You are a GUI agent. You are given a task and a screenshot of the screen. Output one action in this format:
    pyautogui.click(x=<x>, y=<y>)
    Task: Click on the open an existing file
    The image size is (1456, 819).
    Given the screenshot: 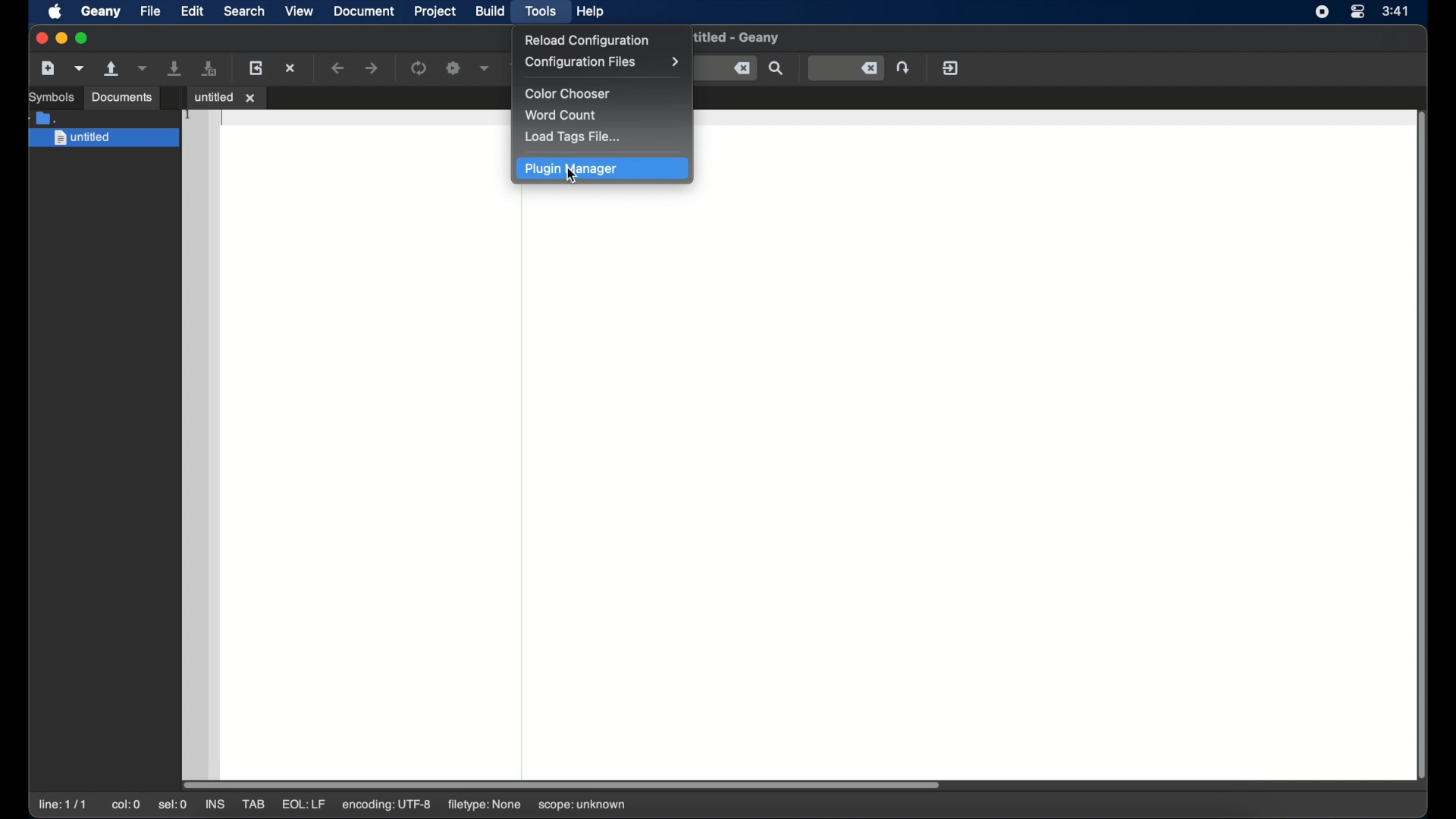 What is the action you would take?
    pyautogui.click(x=113, y=69)
    